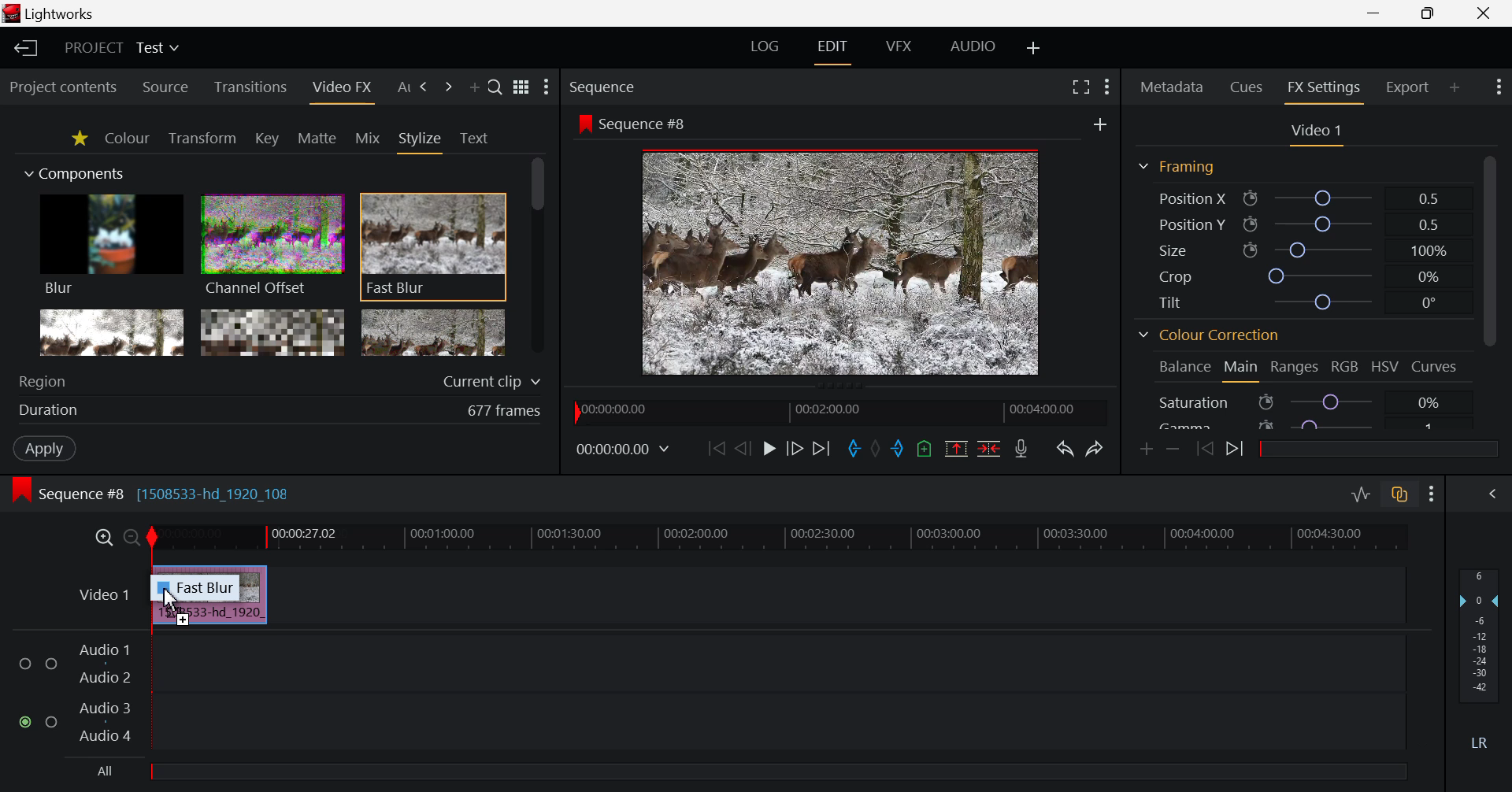 This screenshot has height=792, width=1512. What do you see at coordinates (1305, 276) in the screenshot?
I see `Crop` at bounding box center [1305, 276].